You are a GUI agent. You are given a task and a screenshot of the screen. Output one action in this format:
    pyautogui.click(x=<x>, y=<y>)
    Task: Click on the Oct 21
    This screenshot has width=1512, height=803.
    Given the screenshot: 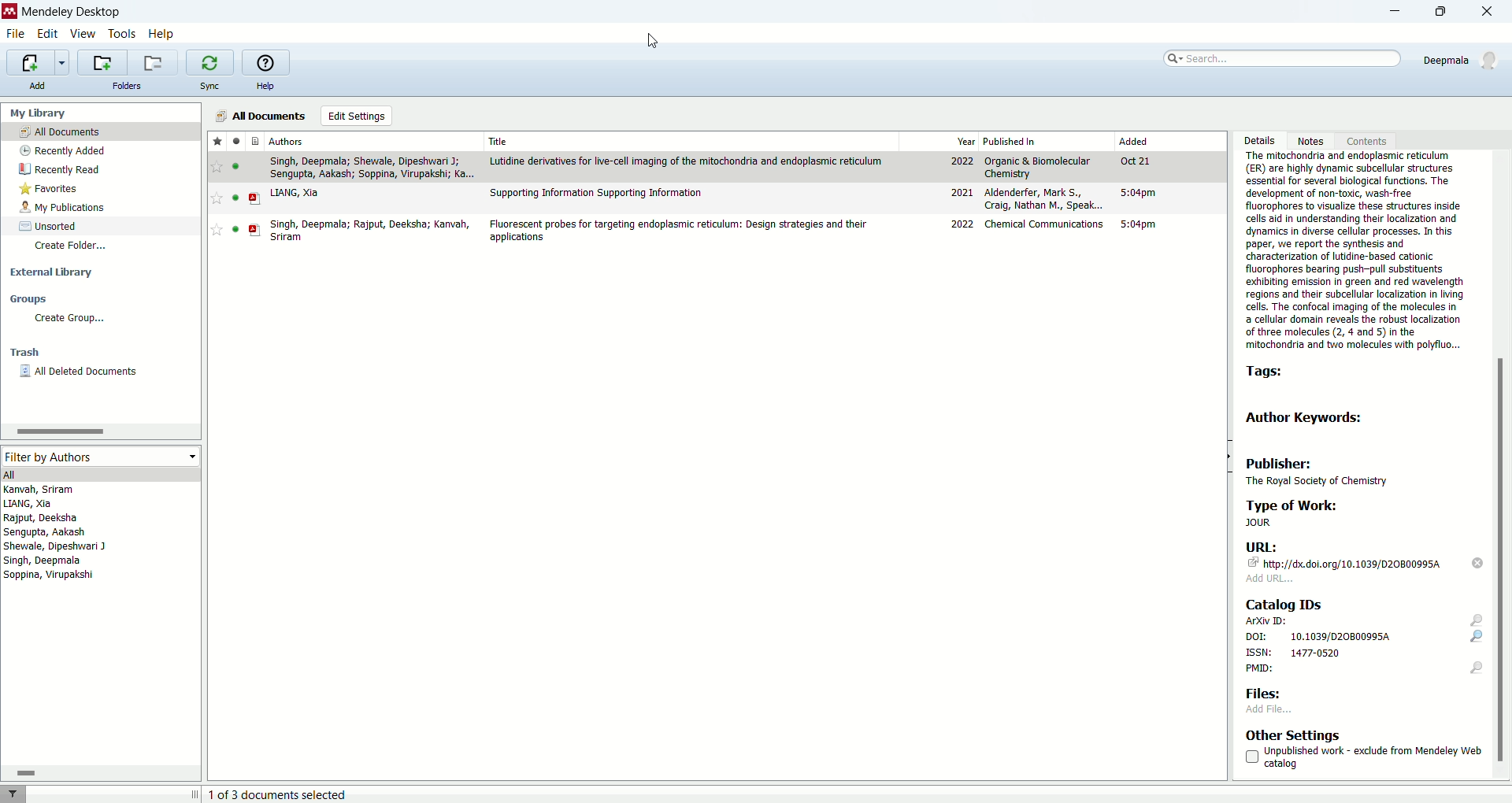 What is the action you would take?
    pyautogui.click(x=1134, y=161)
    